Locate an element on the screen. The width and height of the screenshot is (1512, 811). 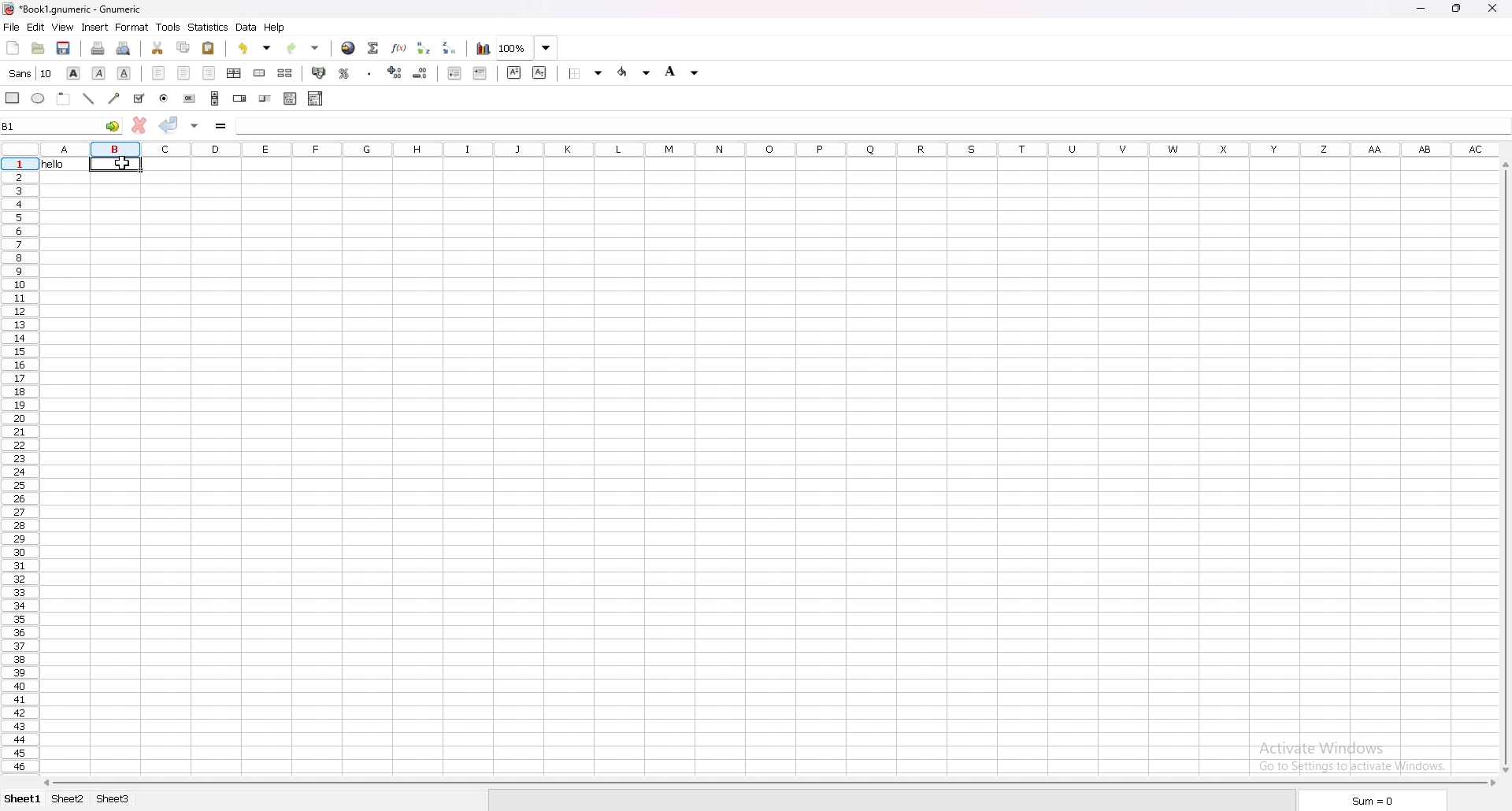
cancel change is located at coordinates (139, 125).